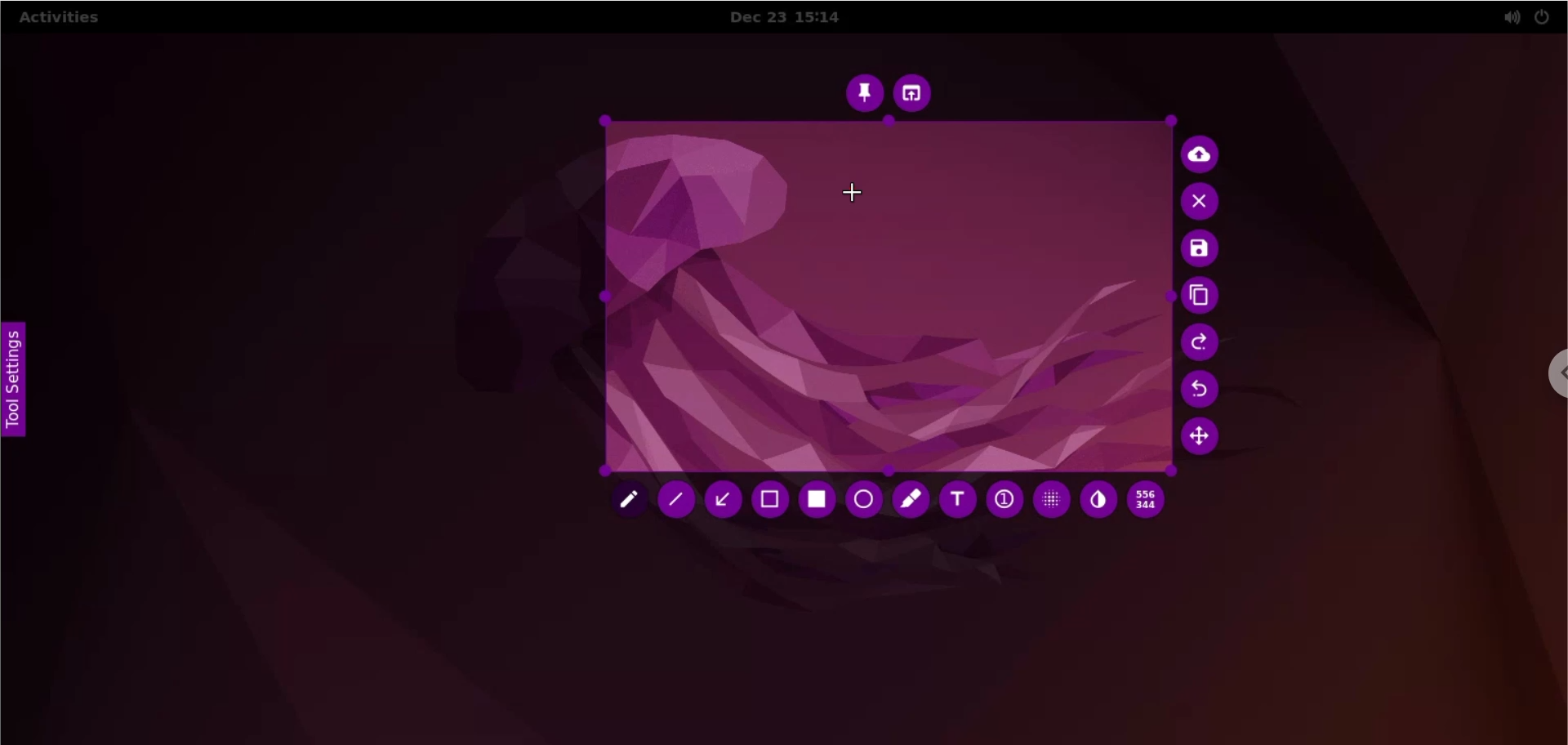 This screenshot has width=1568, height=745. I want to click on undo, so click(1204, 390).